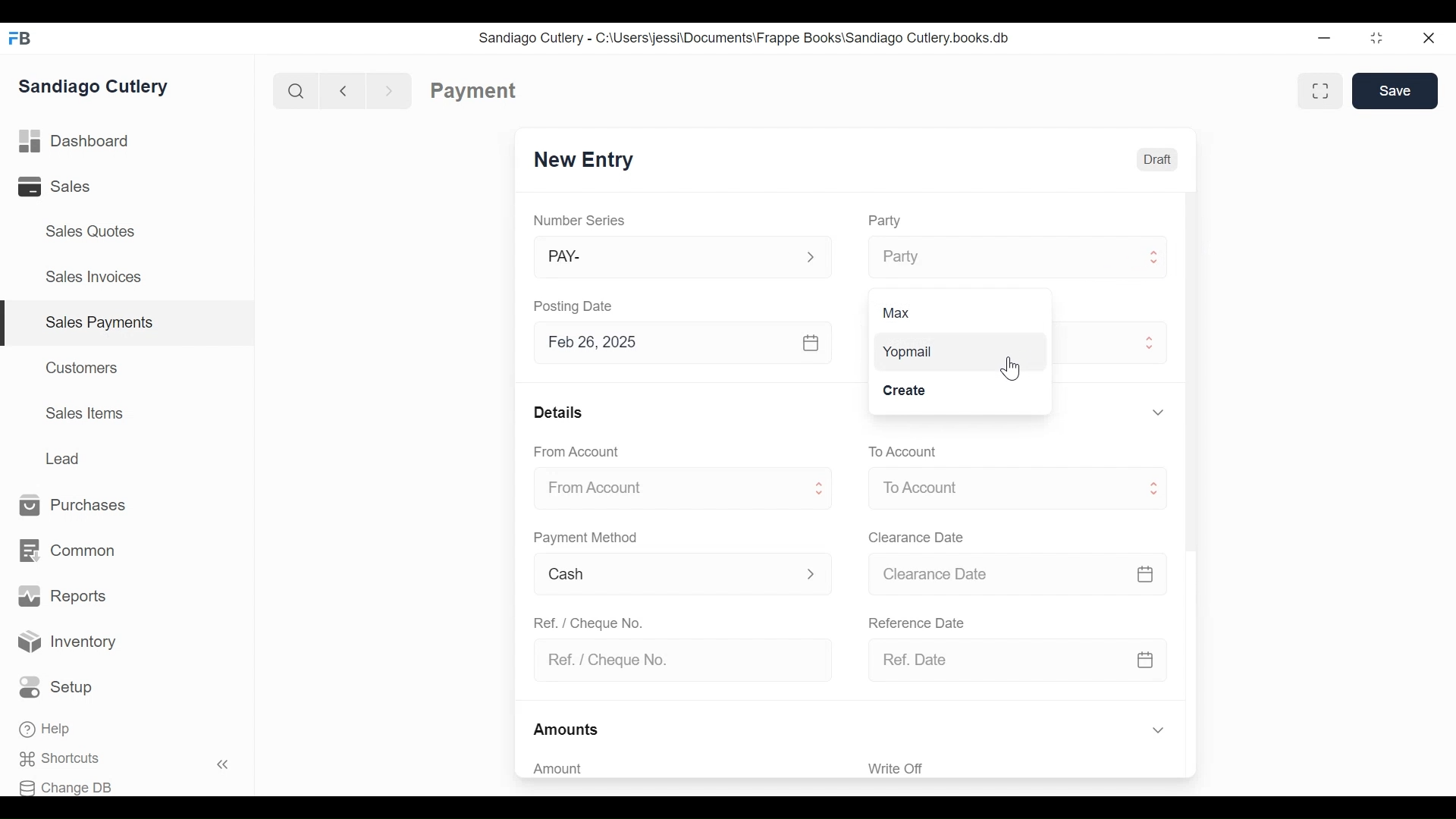 The image size is (1456, 819). What do you see at coordinates (675, 769) in the screenshot?
I see `Amount` at bounding box center [675, 769].